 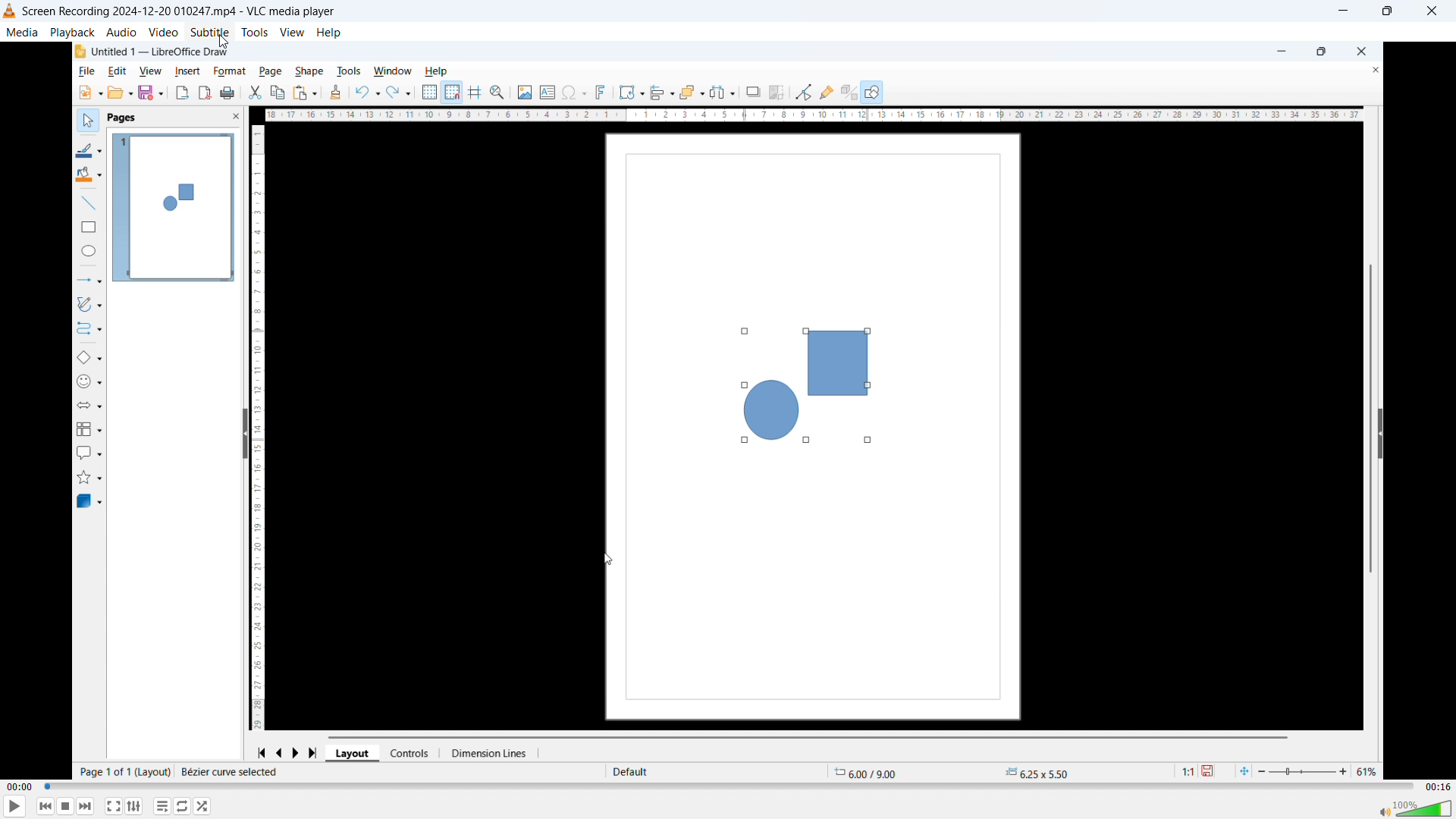 I want to click on bezier curve selected, so click(x=230, y=772).